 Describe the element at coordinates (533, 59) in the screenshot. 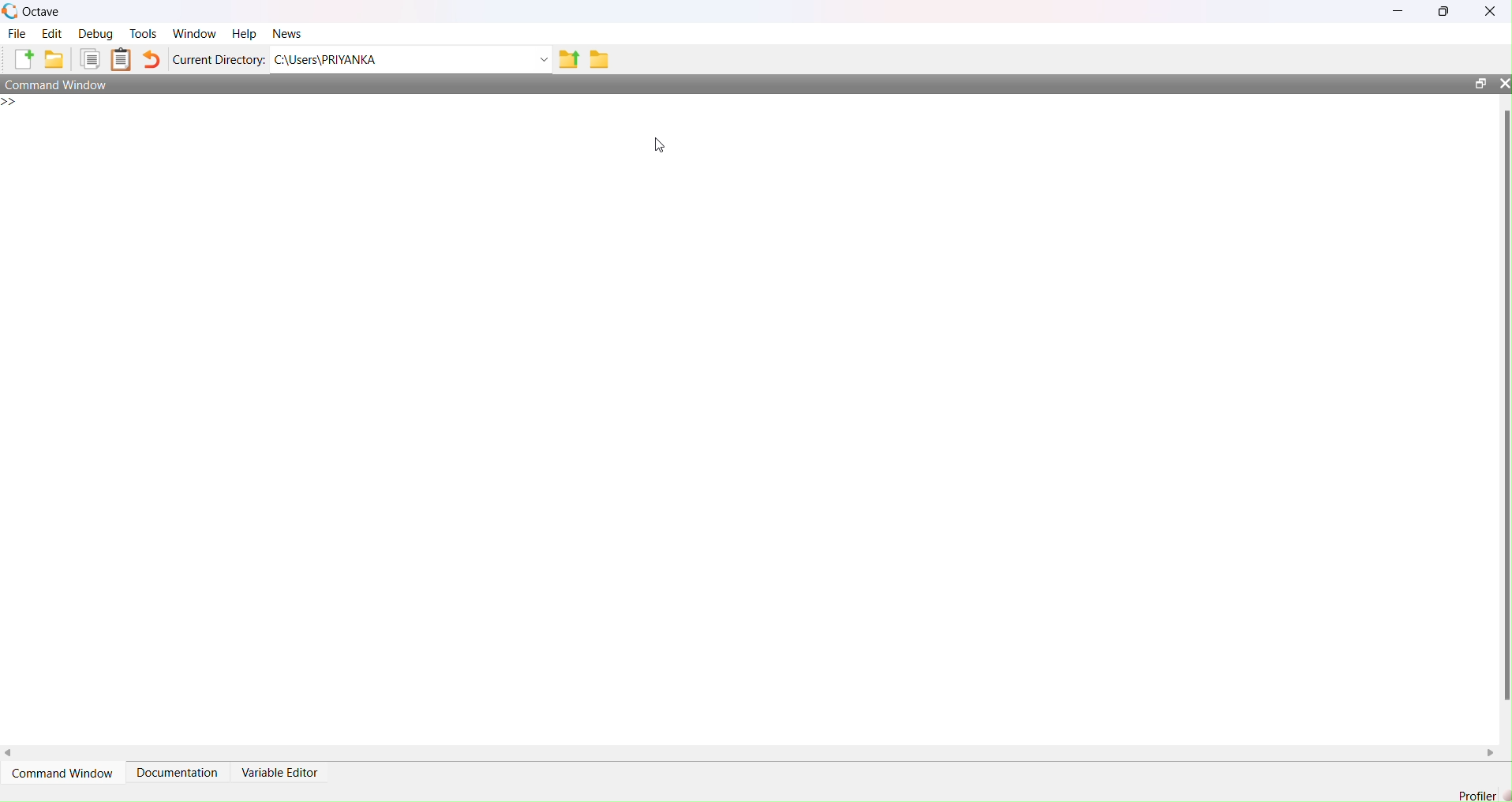

I see `dropdown` at that location.